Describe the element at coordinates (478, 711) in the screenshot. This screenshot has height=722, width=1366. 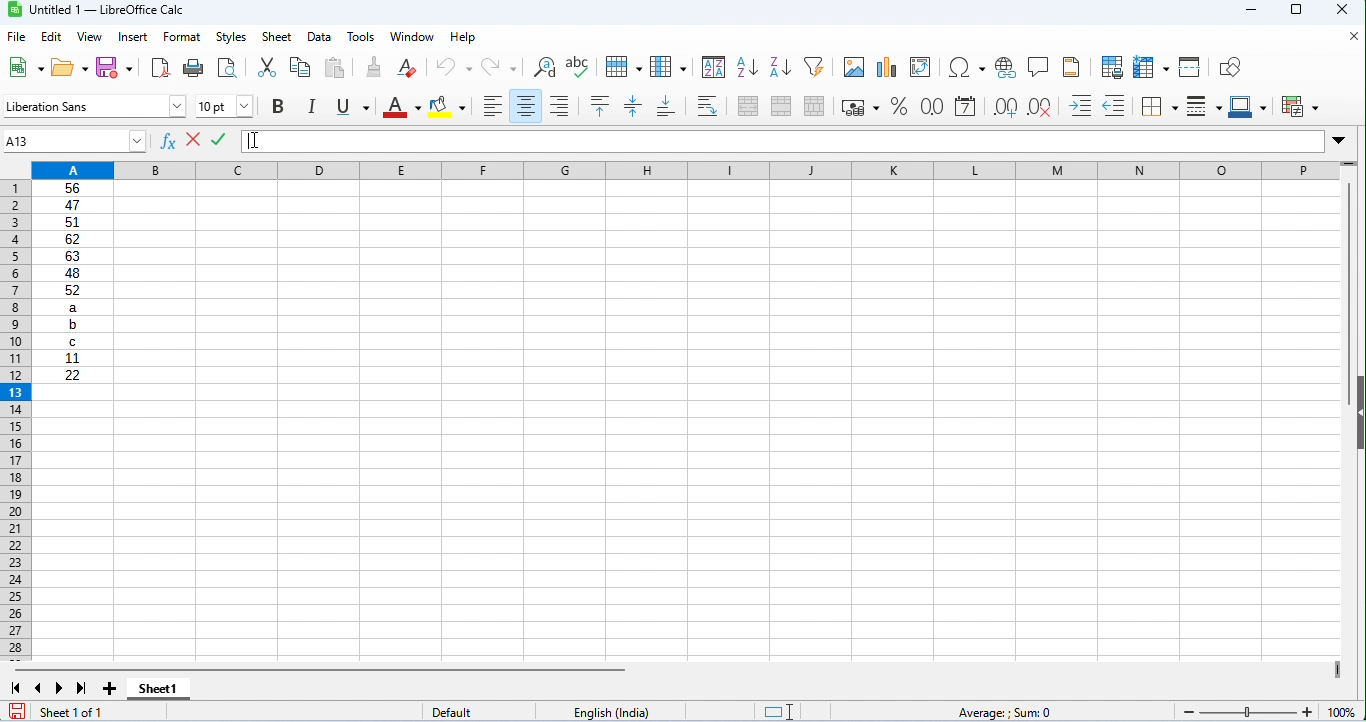
I see `default` at that location.